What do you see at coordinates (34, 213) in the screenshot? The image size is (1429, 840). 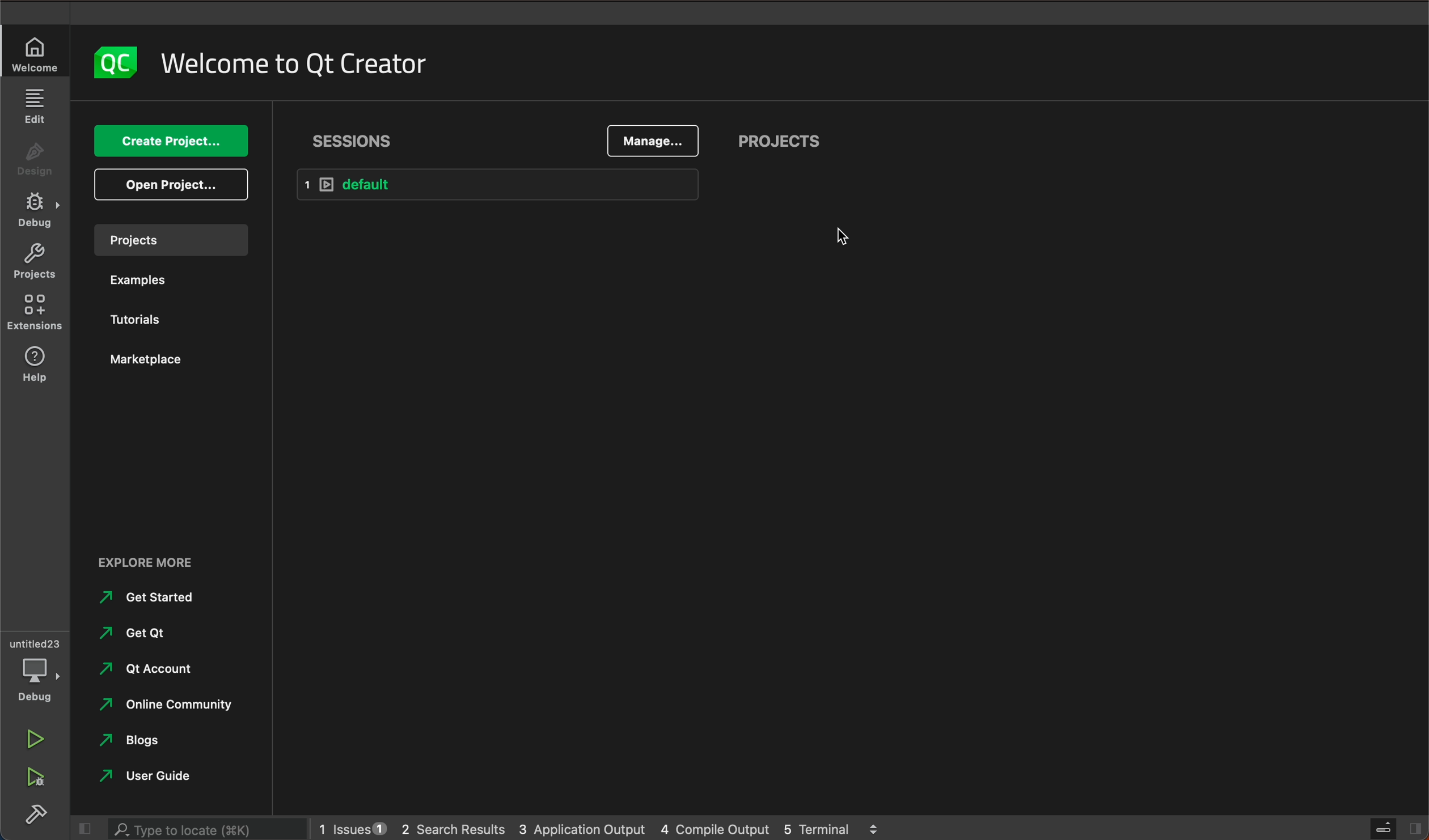 I see `debug` at bounding box center [34, 213].